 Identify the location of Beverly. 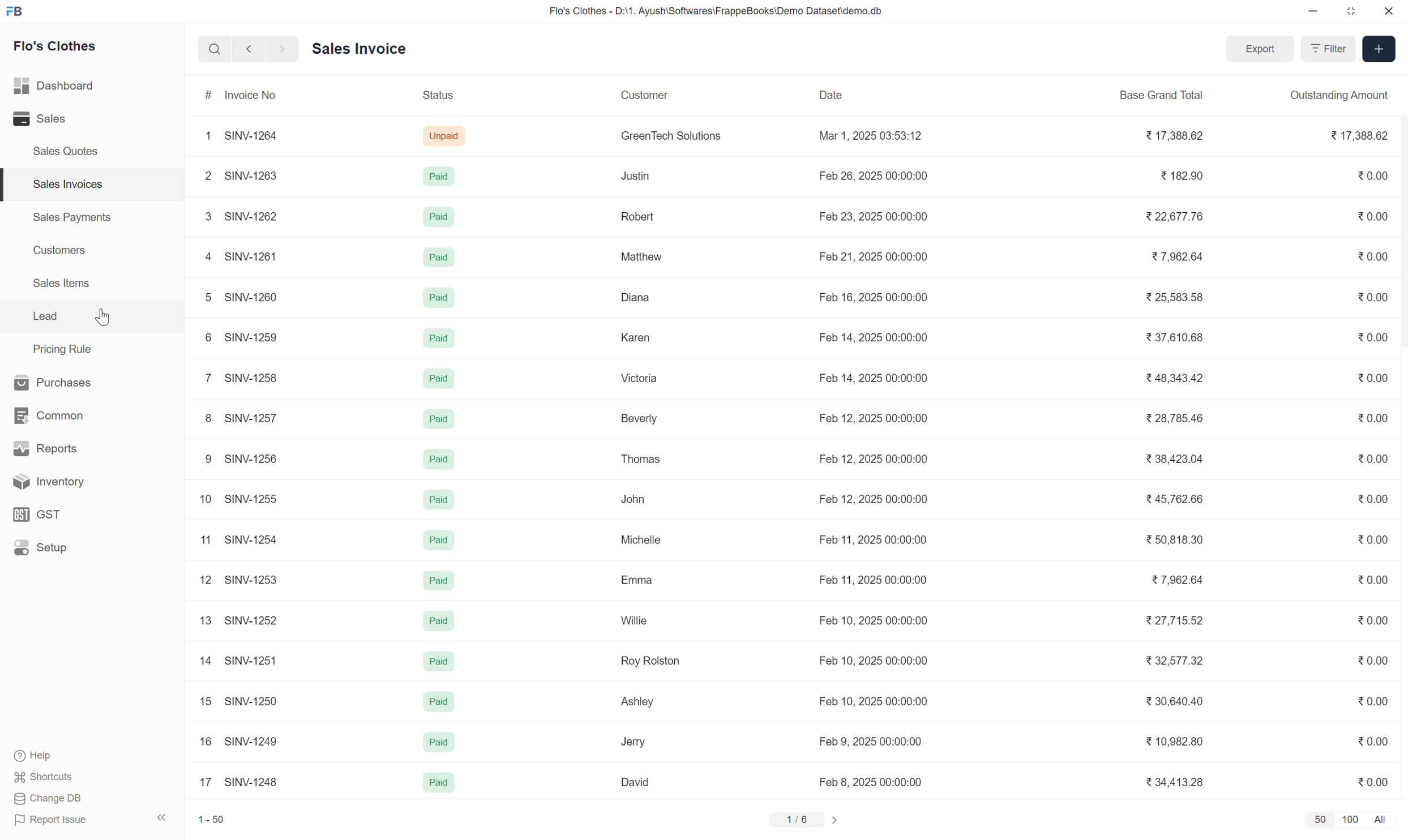
(632, 419).